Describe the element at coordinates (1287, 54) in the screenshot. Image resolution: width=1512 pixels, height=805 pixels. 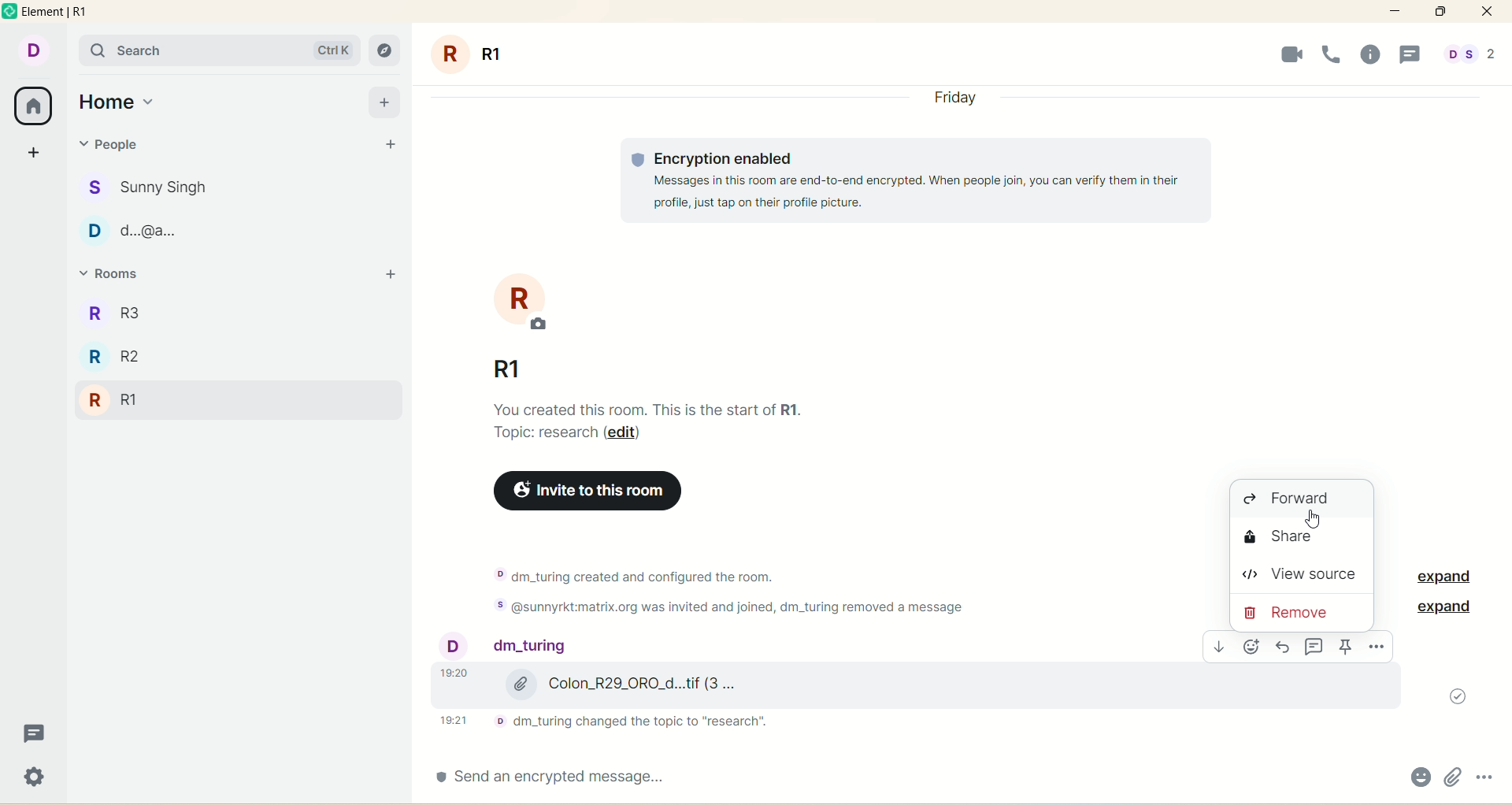
I see `video call` at that location.